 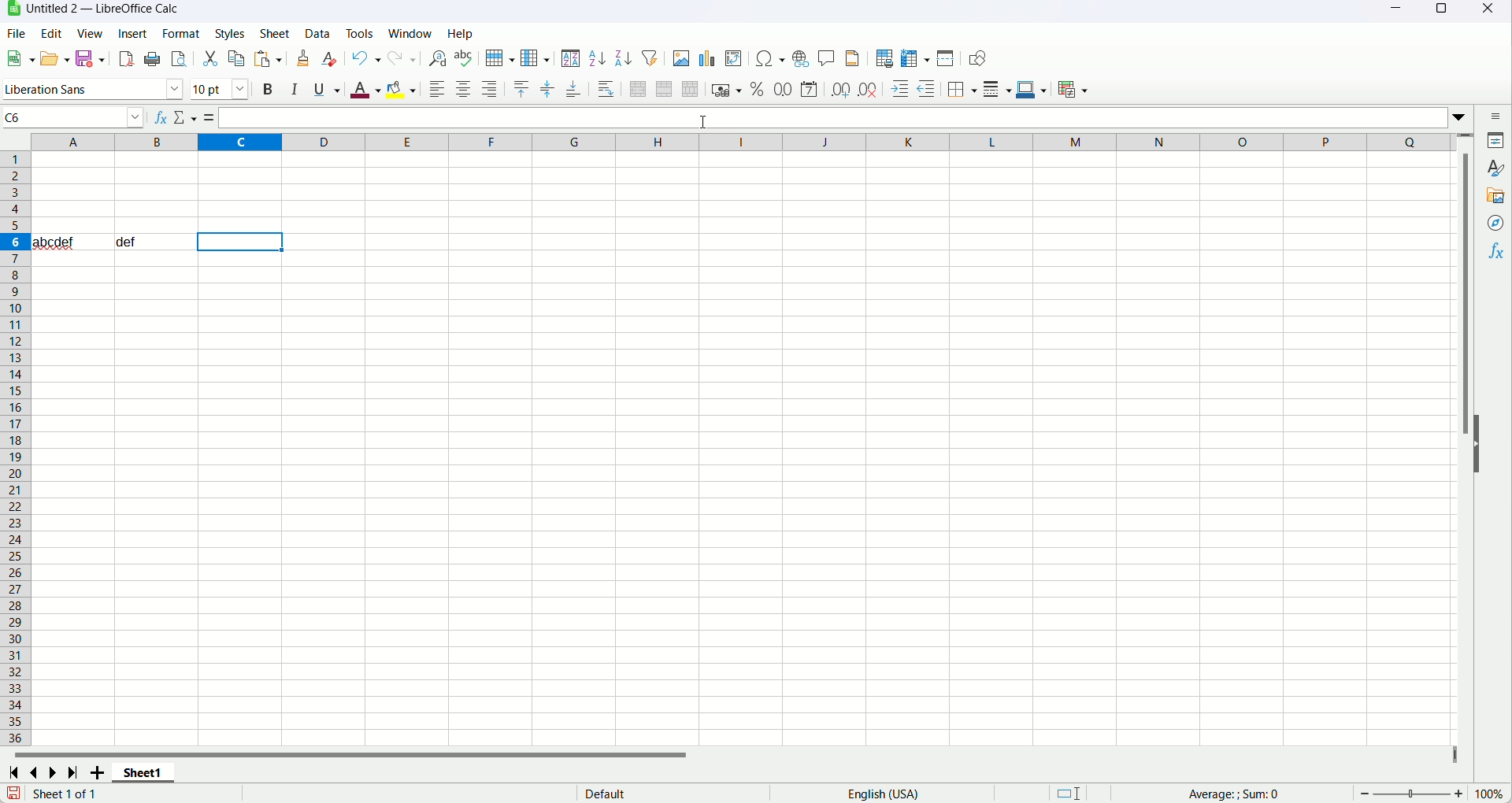 What do you see at coordinates (1479, 446) in the screenshot?
I see `hide` at bounding box center [1479, 446].